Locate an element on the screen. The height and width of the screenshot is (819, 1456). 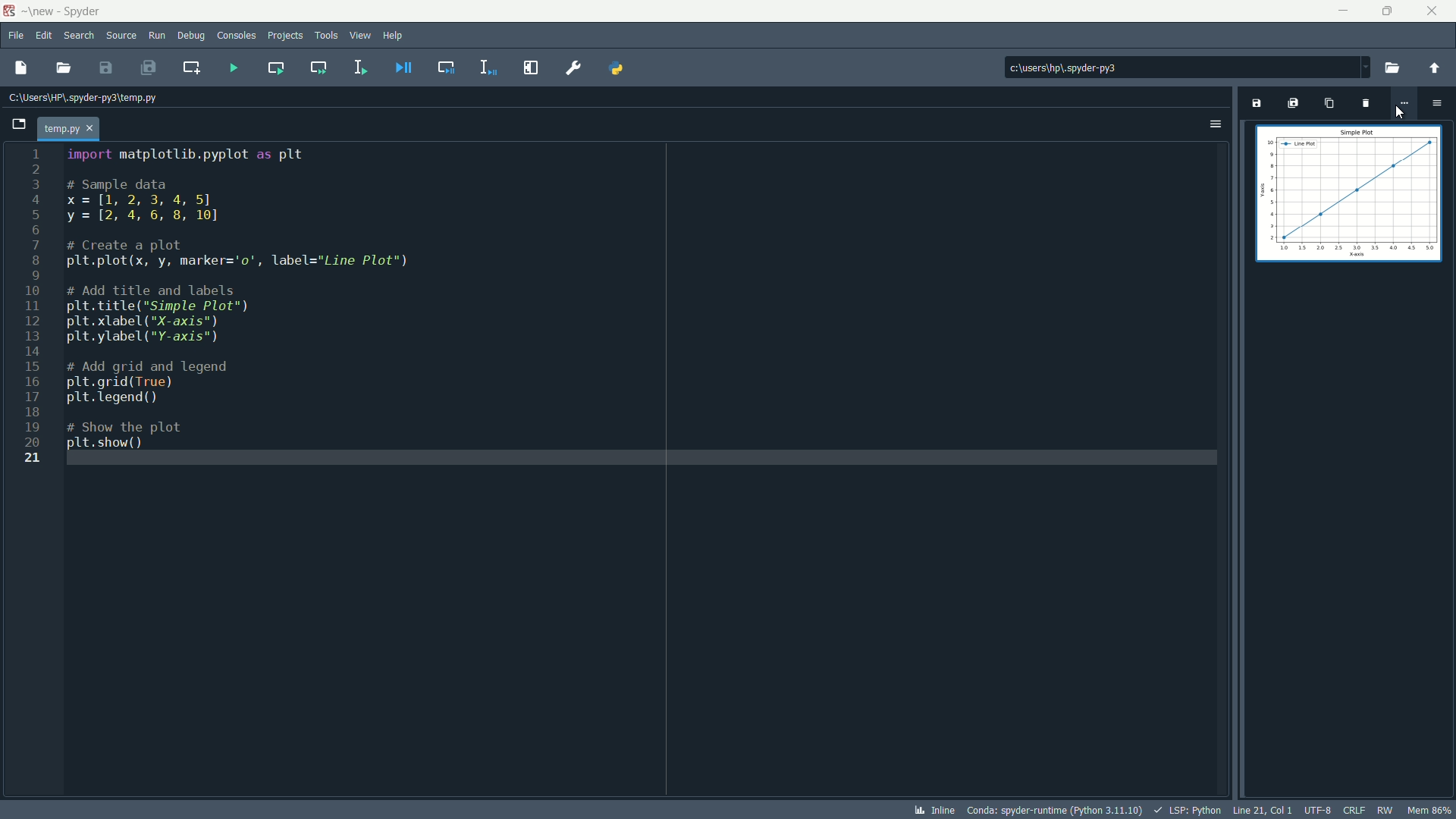
edit menu is located at coordinates (45, 36).